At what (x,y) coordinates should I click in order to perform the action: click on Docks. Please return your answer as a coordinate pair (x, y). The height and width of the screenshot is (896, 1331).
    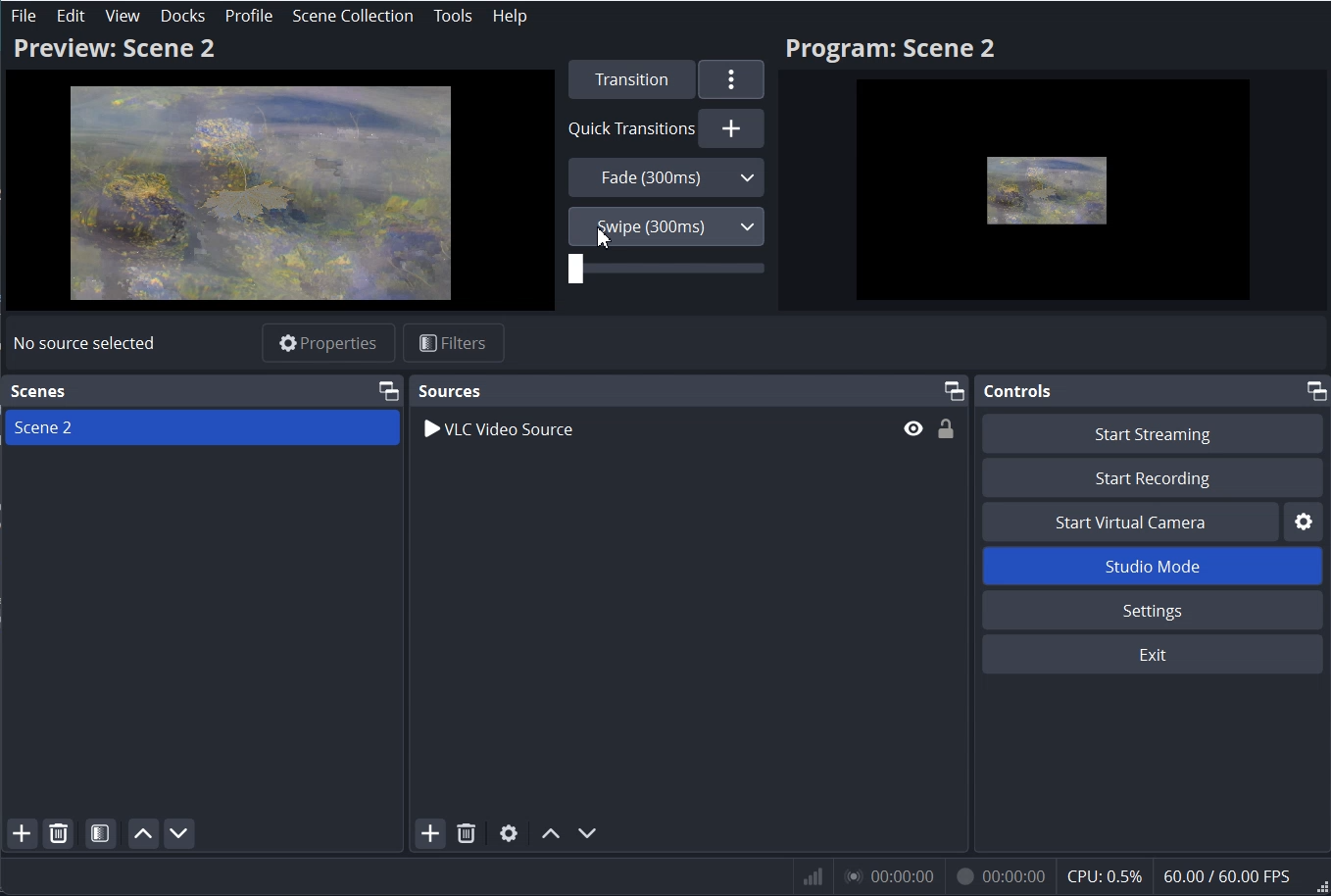
    Looking at the image, I should click on (181, 16).